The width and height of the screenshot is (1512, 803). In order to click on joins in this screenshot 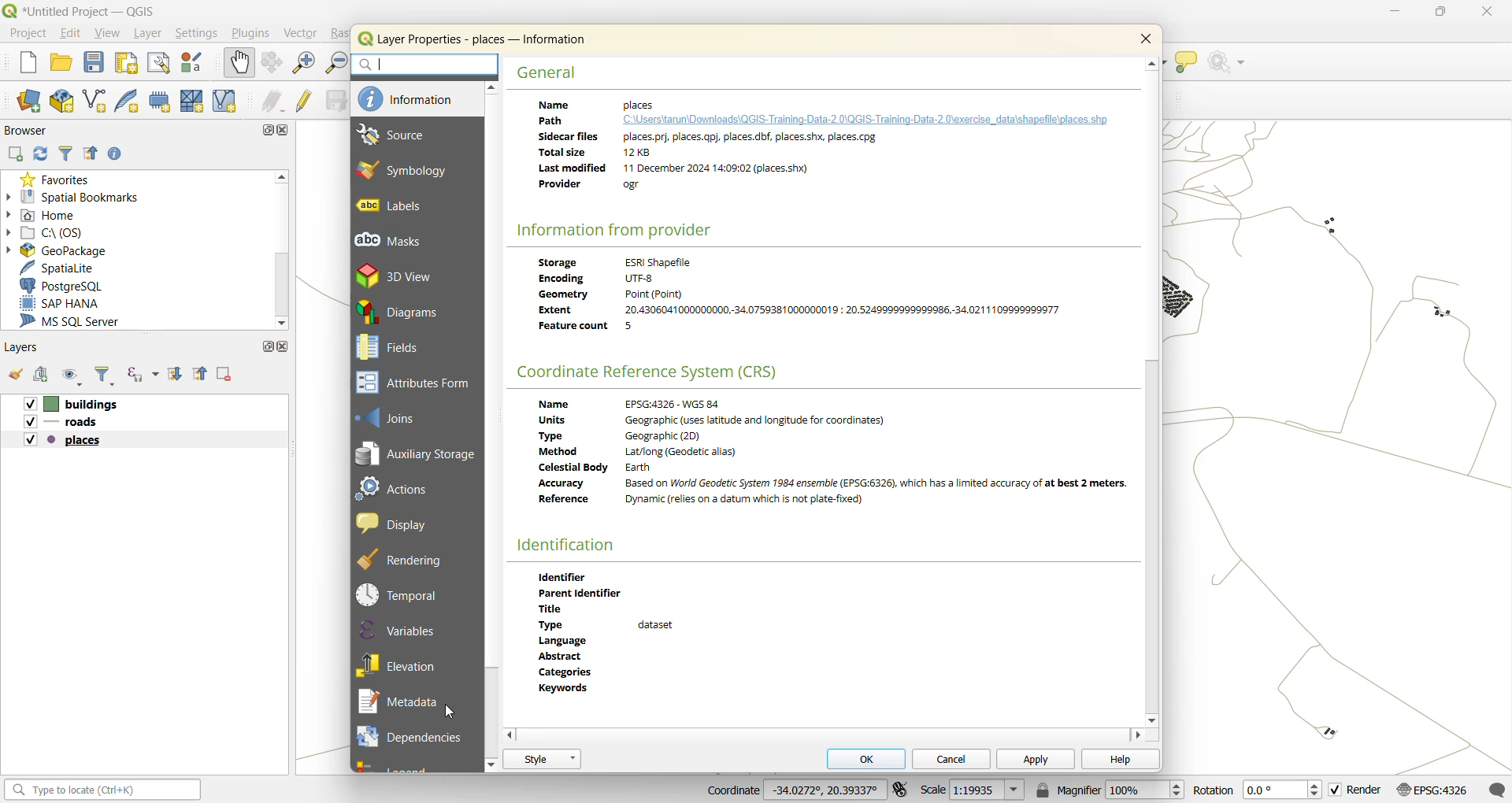, I will do `click(390, 417)`.